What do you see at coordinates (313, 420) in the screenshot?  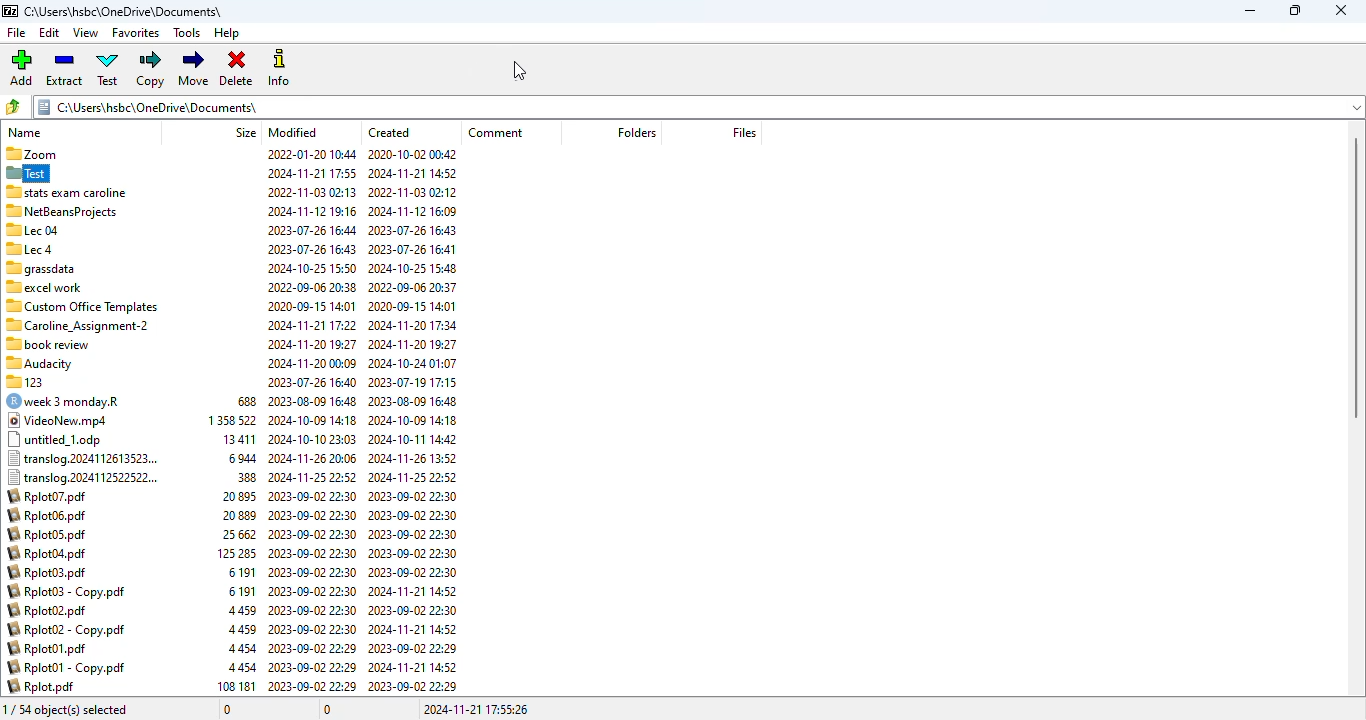 I see `2024-10-09 14:18` at bounding box center [313, 420].